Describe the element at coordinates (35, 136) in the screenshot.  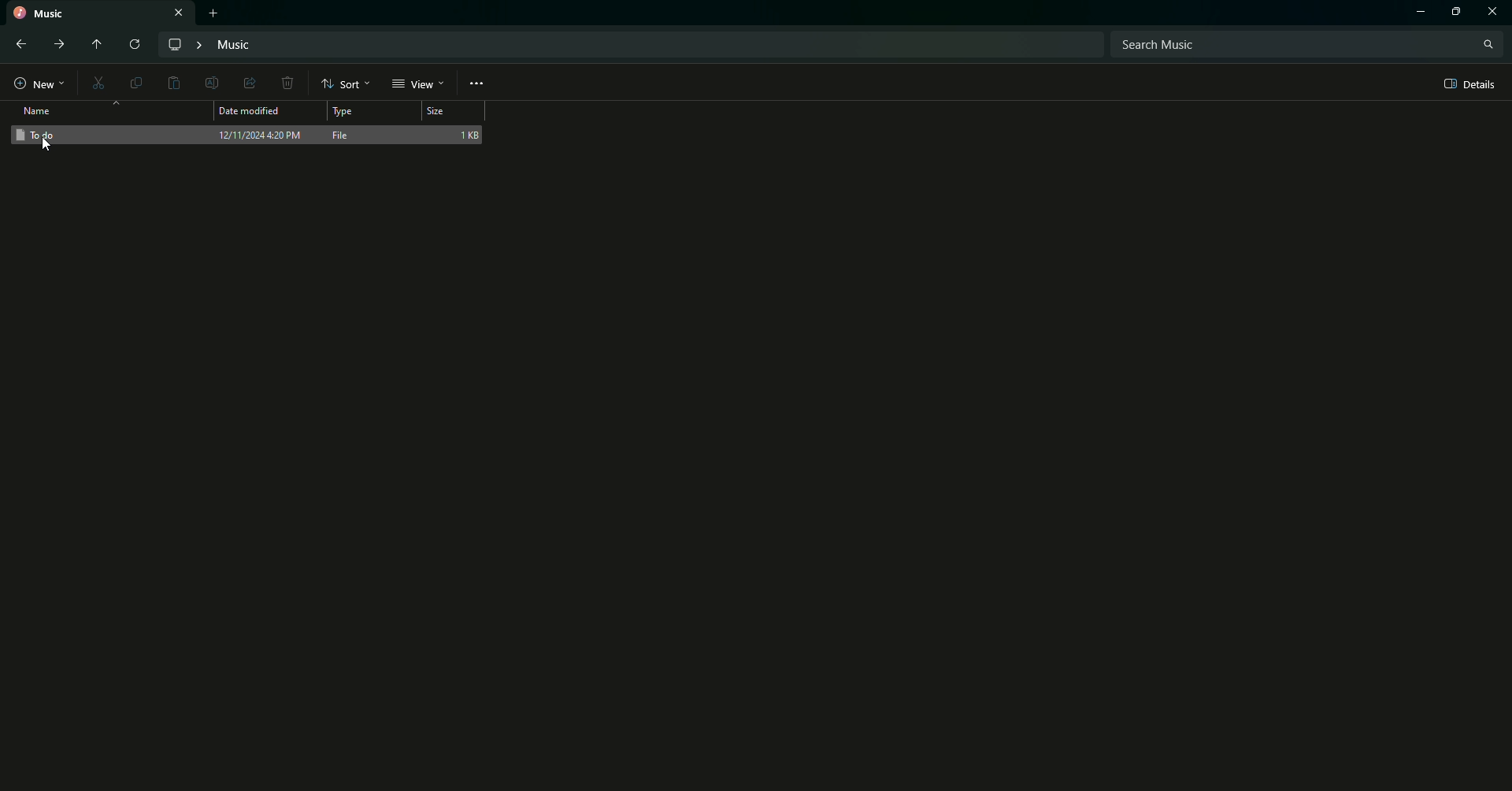
I see `To do` at that location.